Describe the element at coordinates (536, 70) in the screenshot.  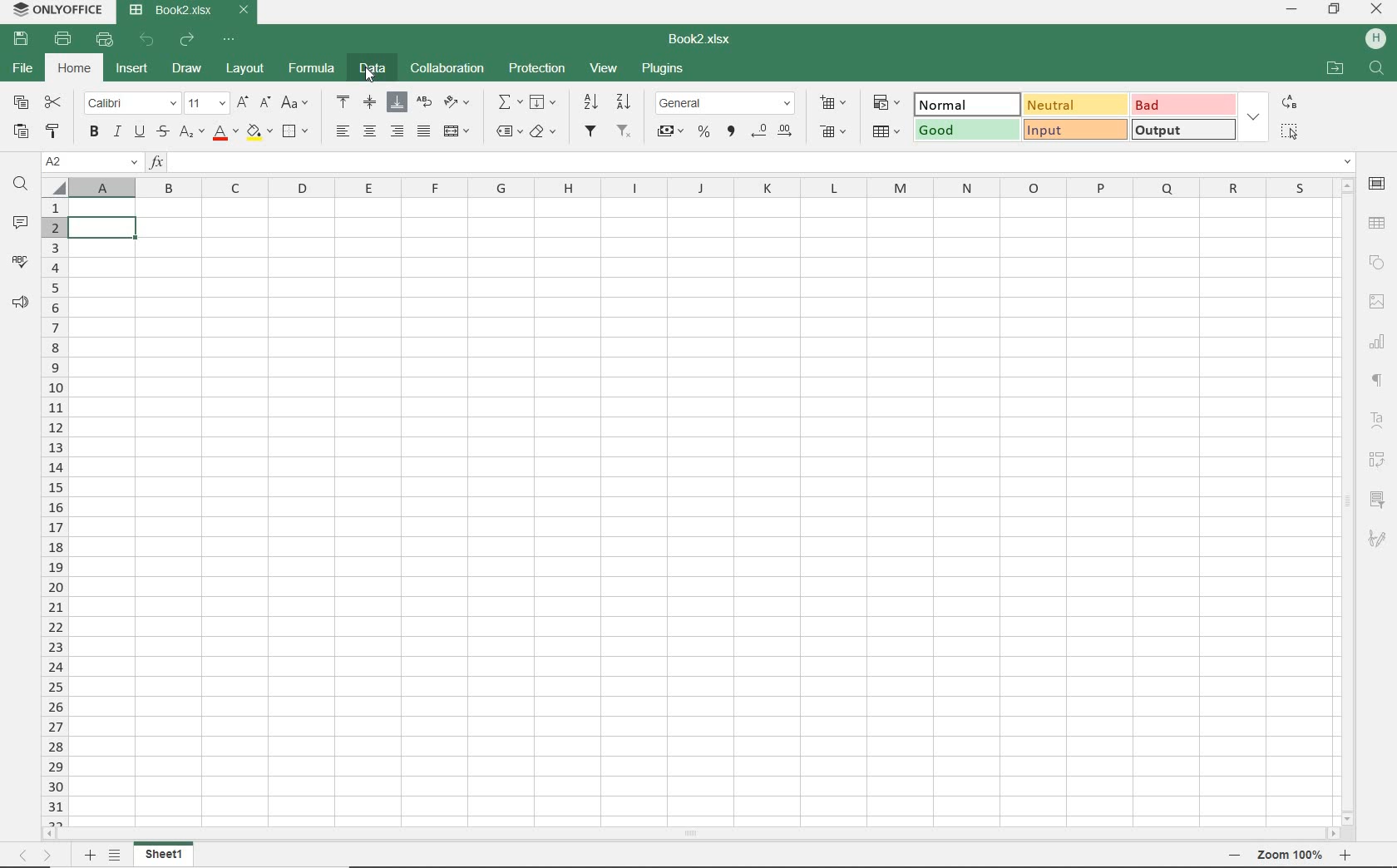
I see `PROTECTION` at that location.